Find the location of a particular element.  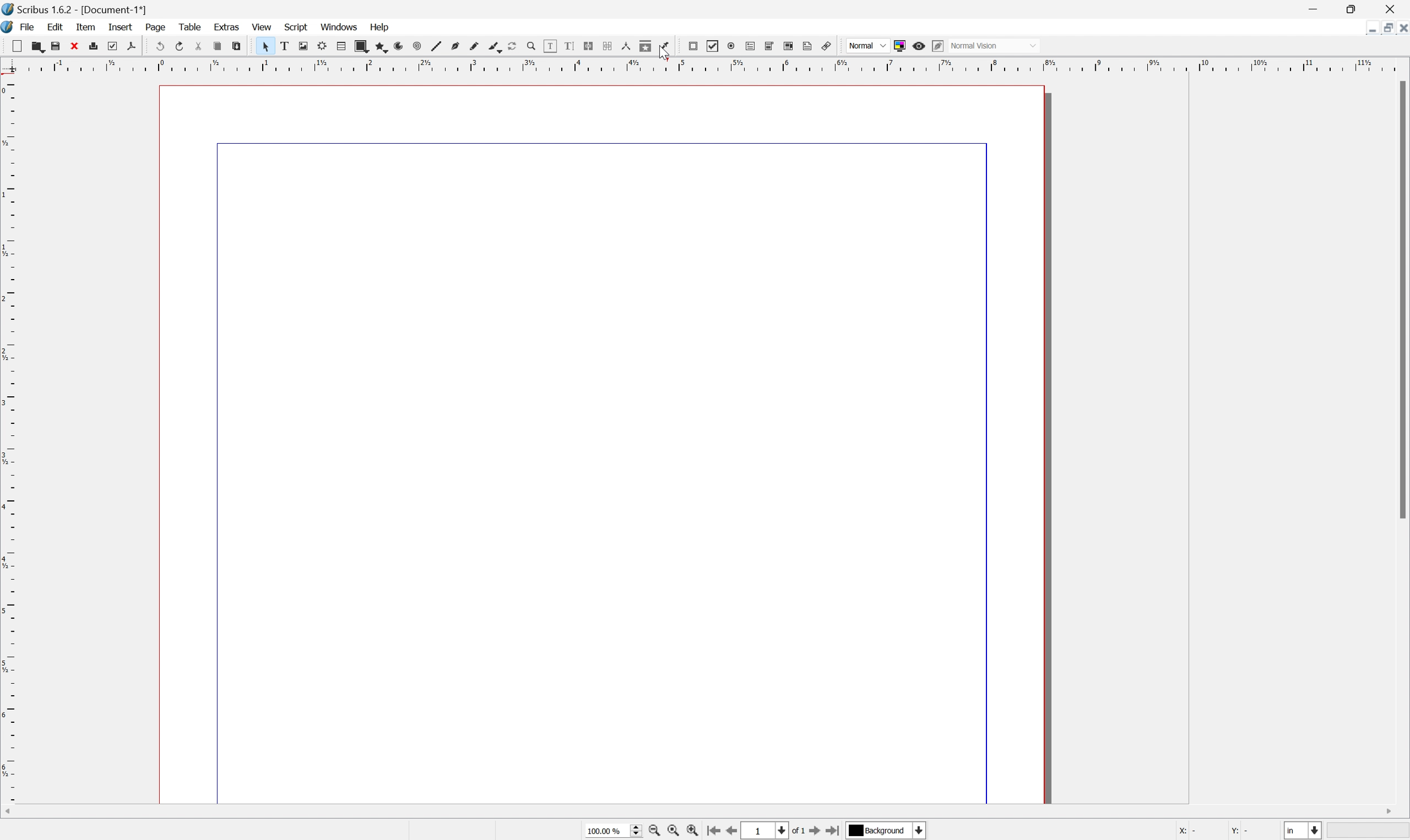

application logo is located at coordinates (9, 27).